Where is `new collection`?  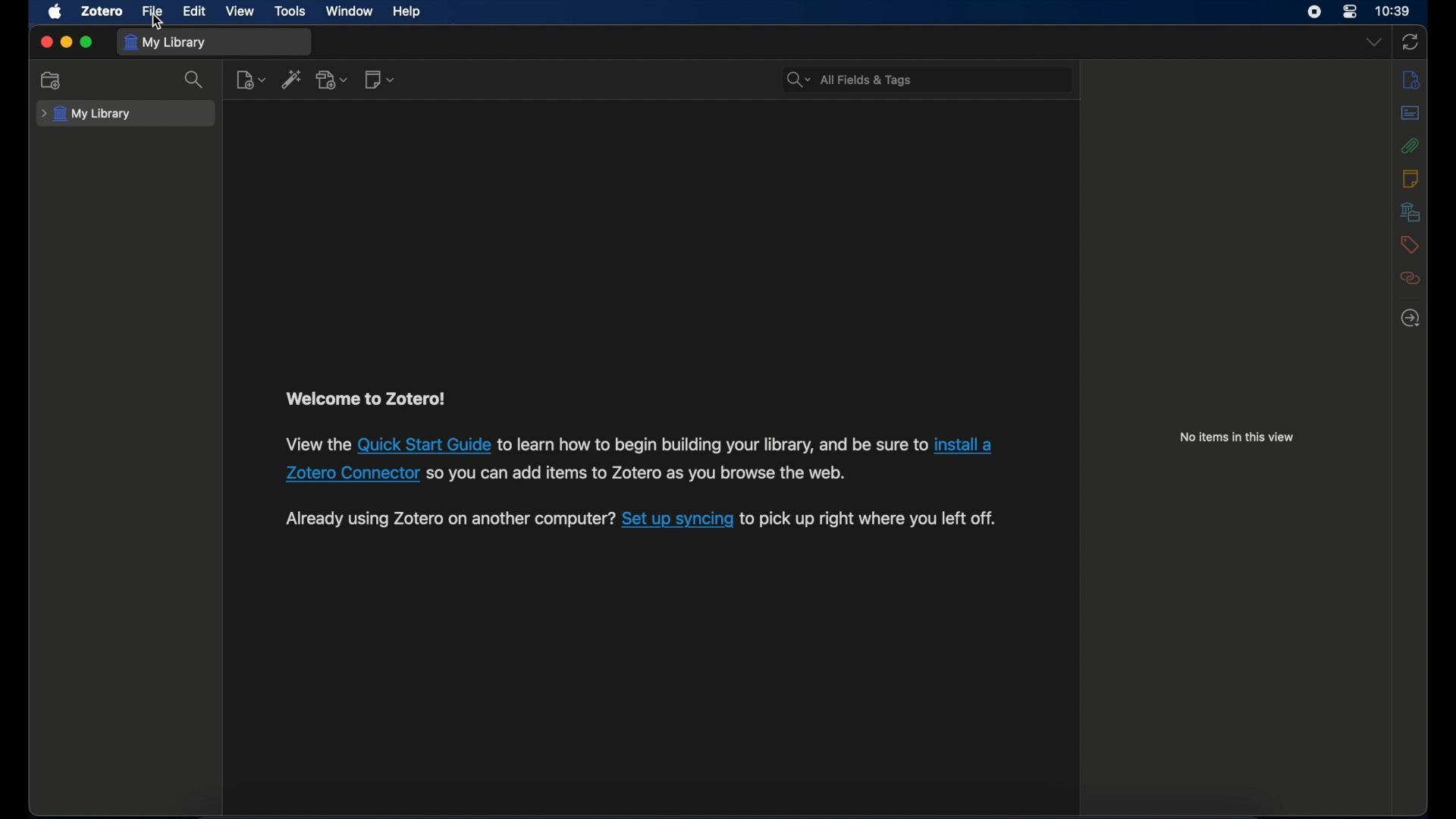
new collection is located at coordinates (53, 81).